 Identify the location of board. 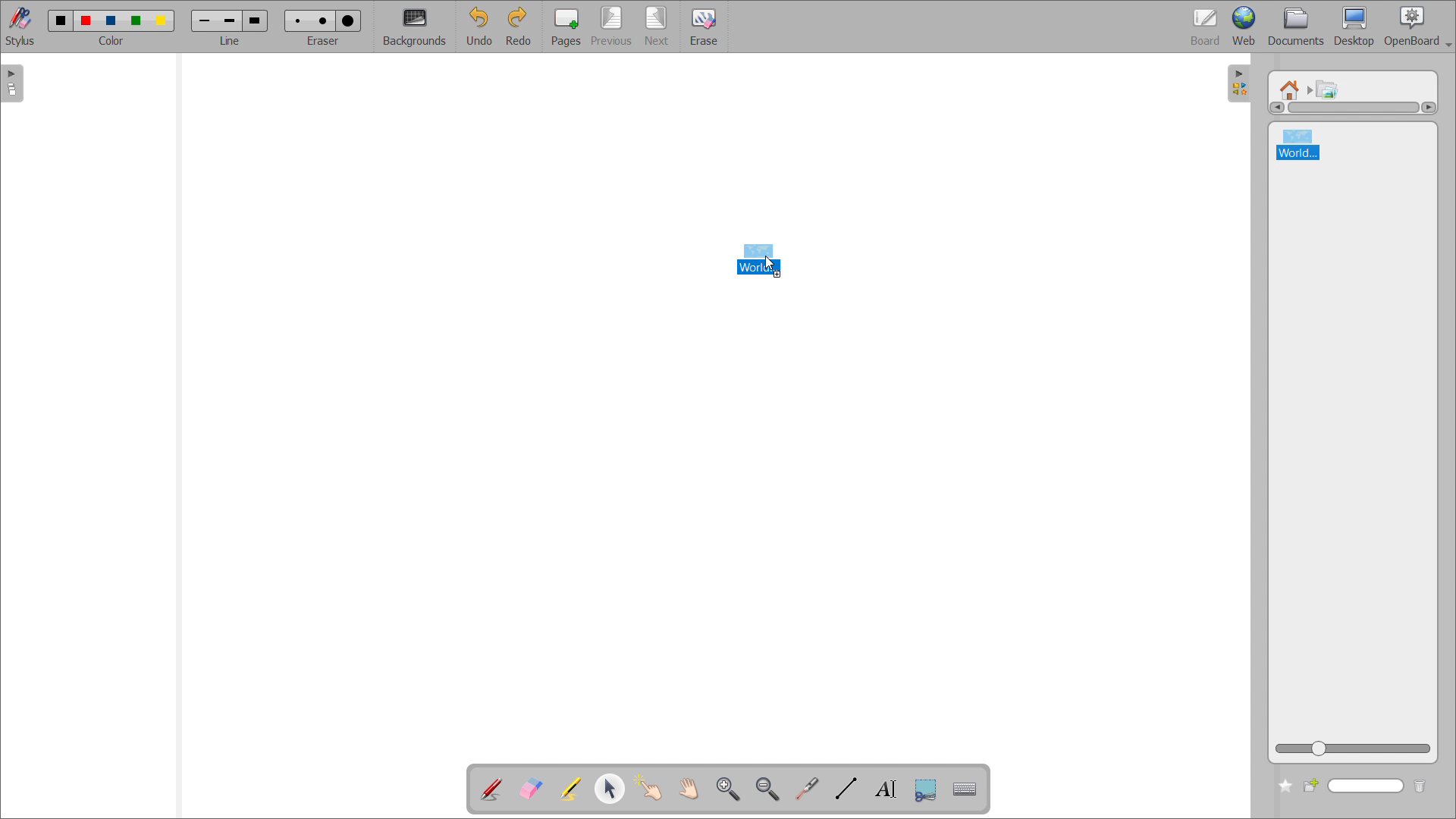
(1206, 27).